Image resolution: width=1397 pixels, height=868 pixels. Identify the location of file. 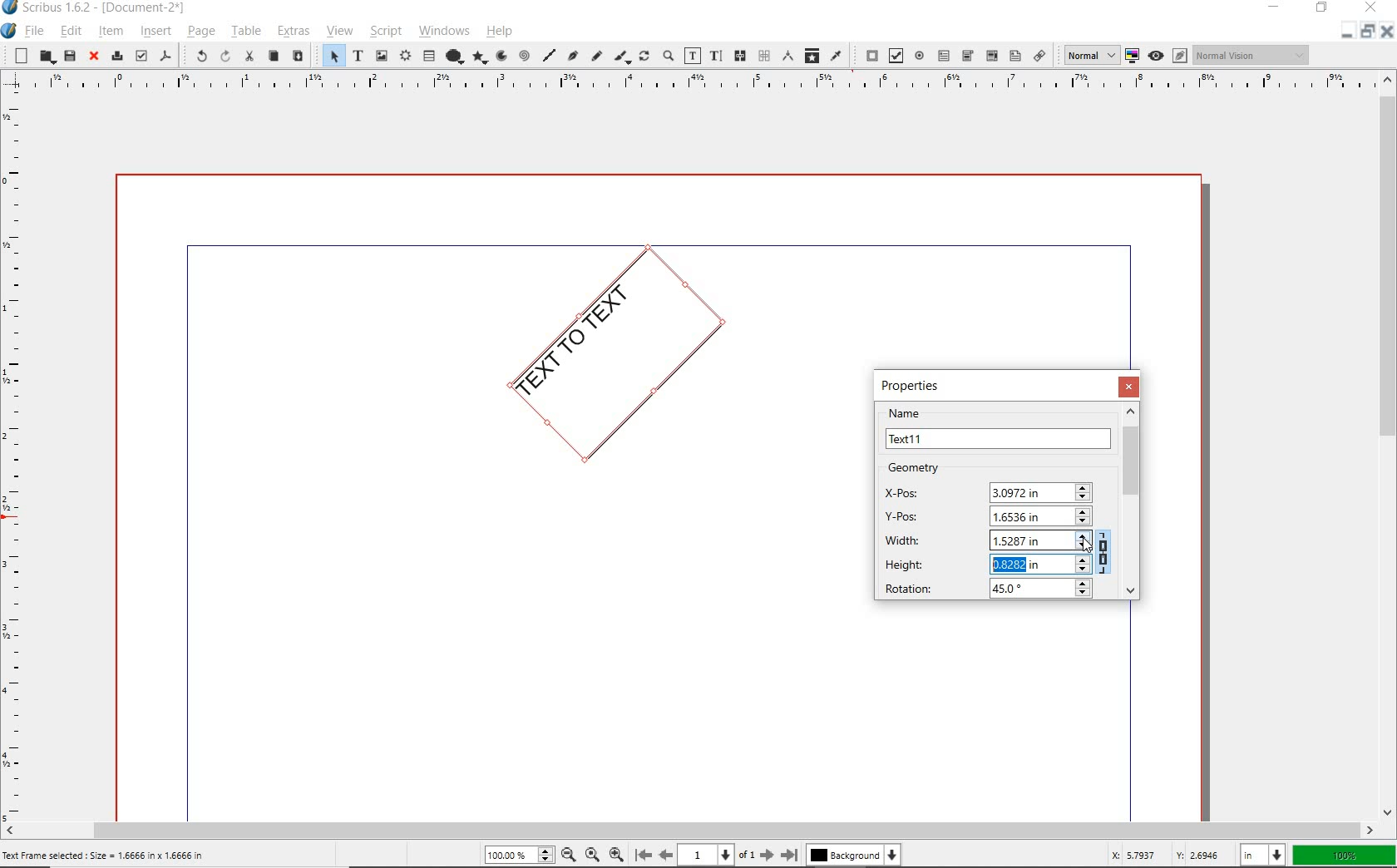
(36, 32).